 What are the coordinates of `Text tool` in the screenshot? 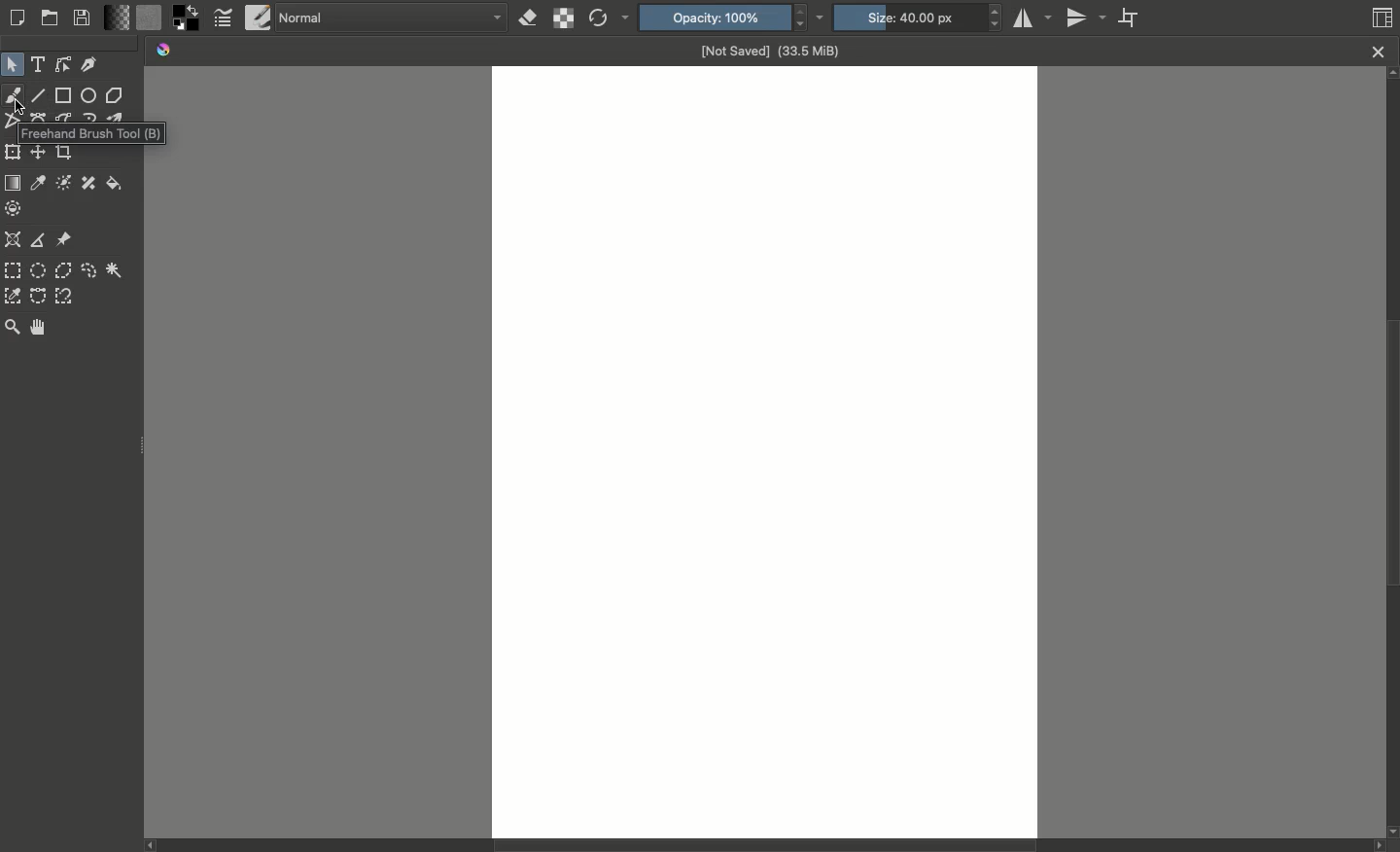 It's located at (39, 64).